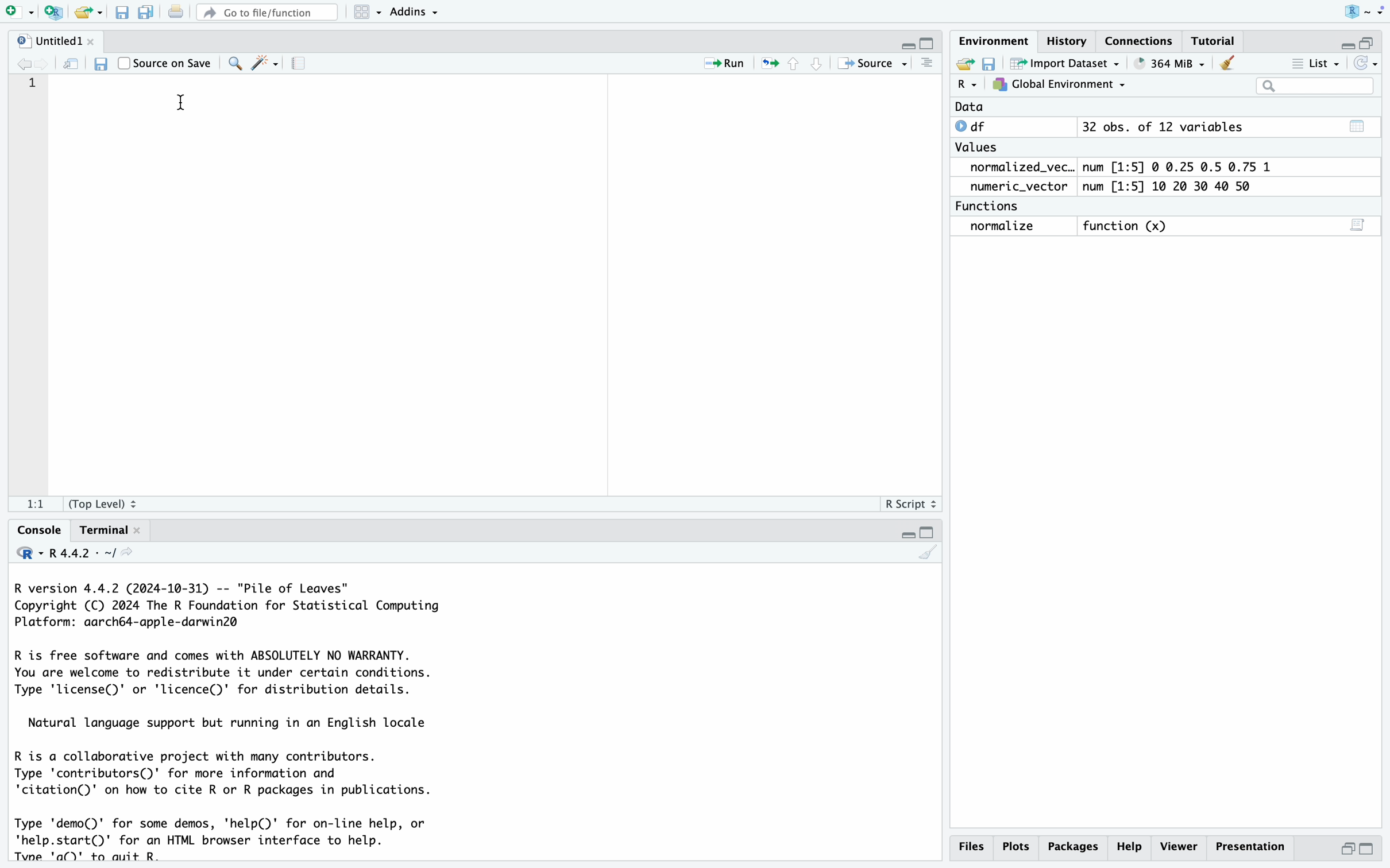  Describe the element at coordinates (1367, 63) in the screenshot. I see `Refresh` at that location.